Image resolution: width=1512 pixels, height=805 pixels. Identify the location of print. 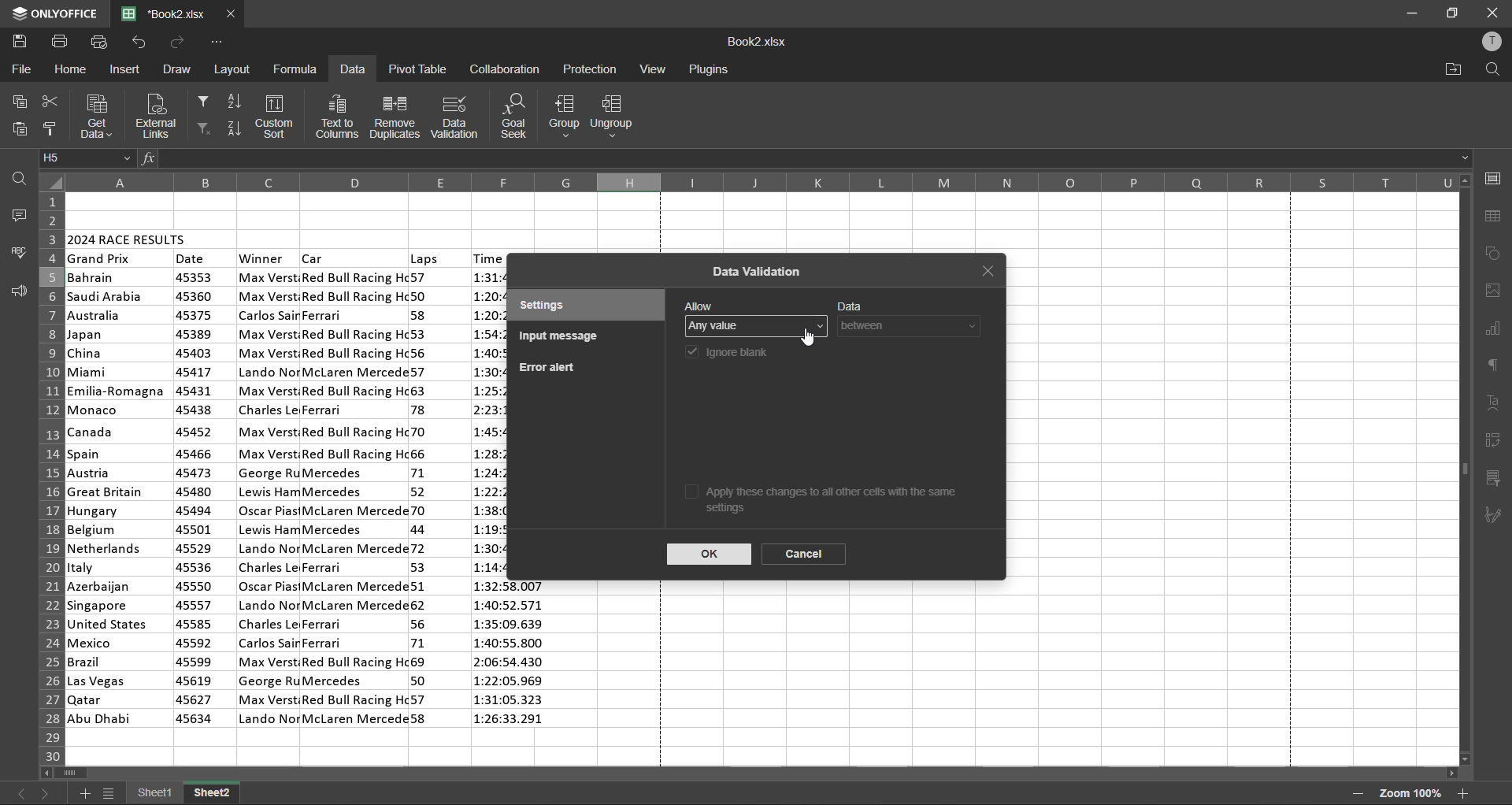
(61, 42).